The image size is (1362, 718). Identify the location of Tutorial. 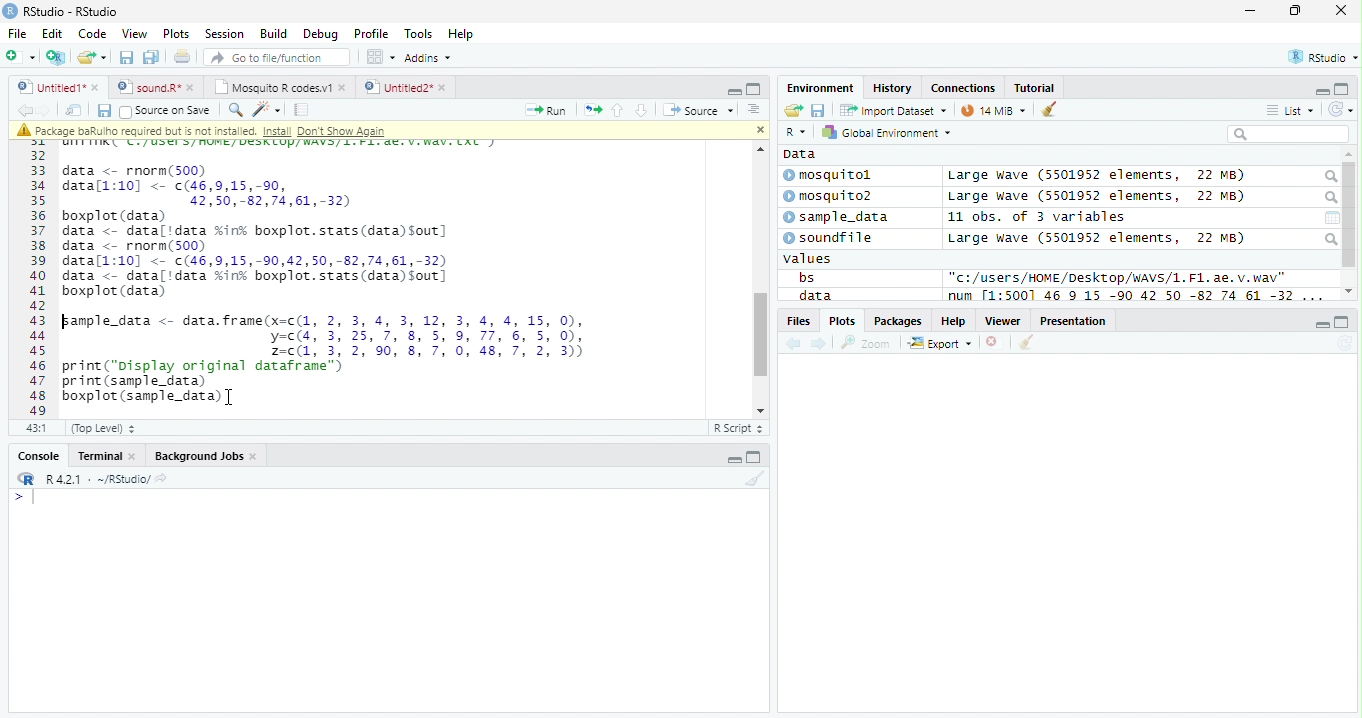
(1035, 89).